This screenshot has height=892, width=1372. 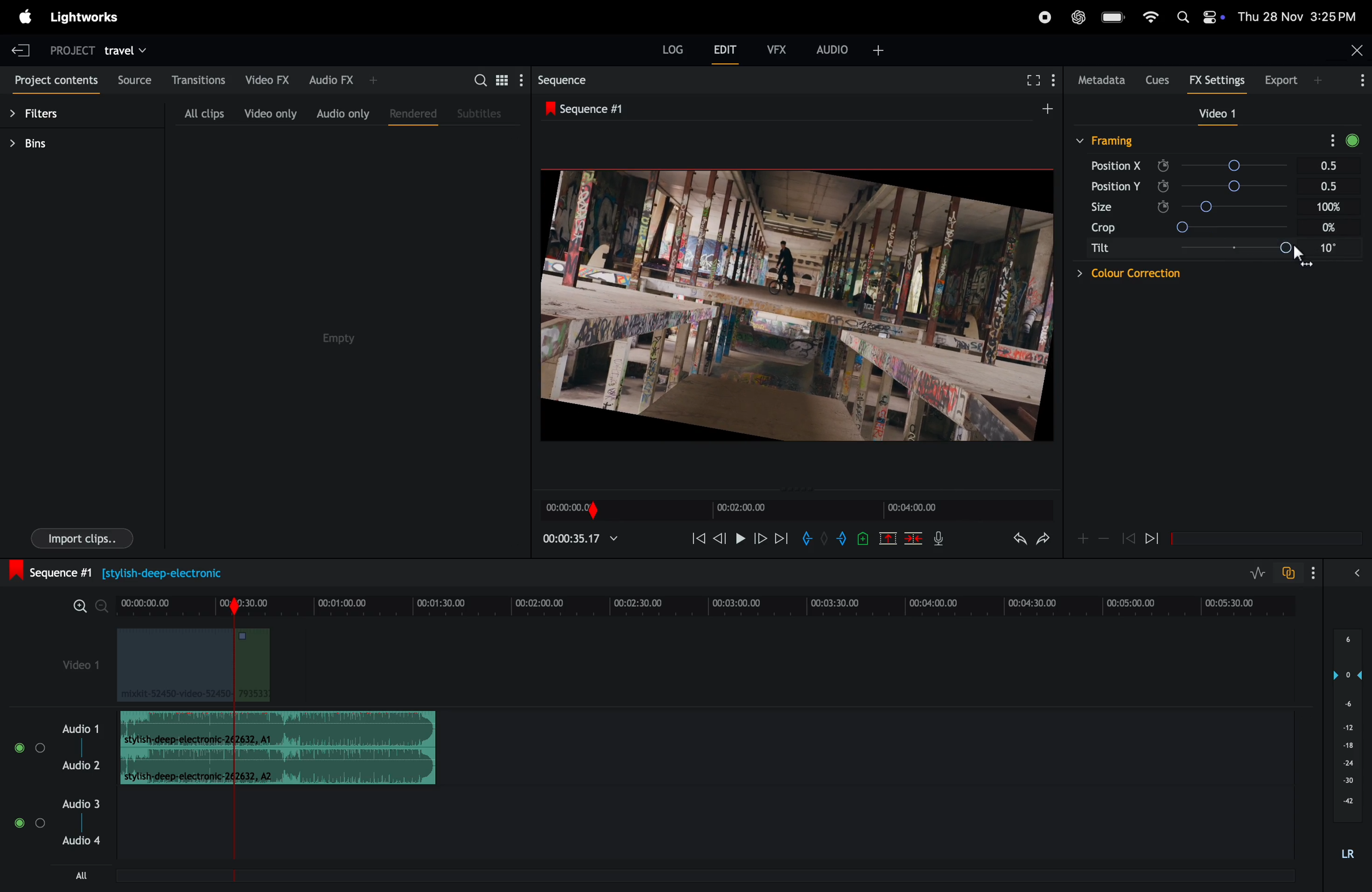 I want to click on add audio, so click(x=849, y=54).